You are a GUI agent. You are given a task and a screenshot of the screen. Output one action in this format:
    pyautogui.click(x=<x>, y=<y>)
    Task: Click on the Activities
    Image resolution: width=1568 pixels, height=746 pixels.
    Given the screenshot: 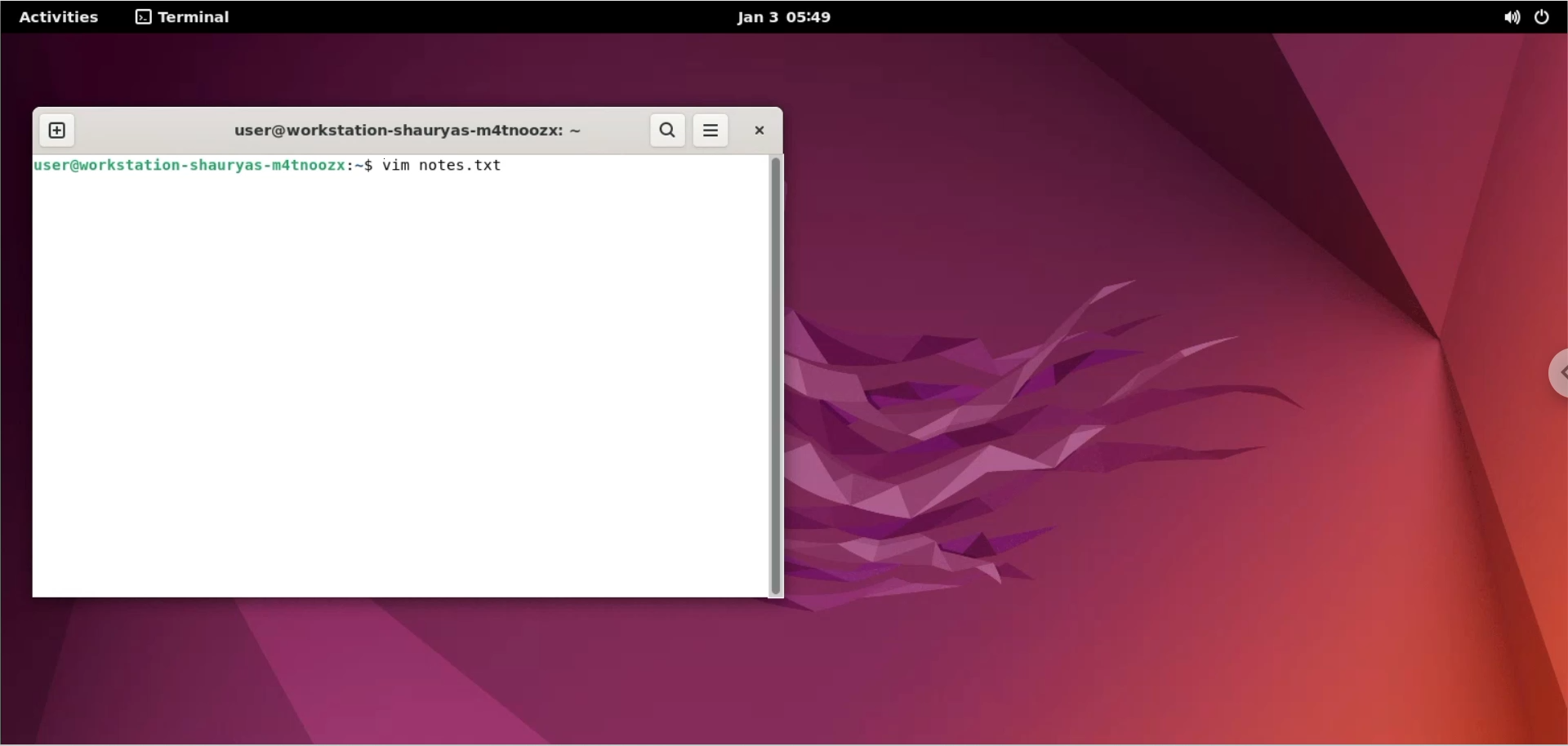 What is the action you would take?
    pyautogui.click(x=60, y=18)
    